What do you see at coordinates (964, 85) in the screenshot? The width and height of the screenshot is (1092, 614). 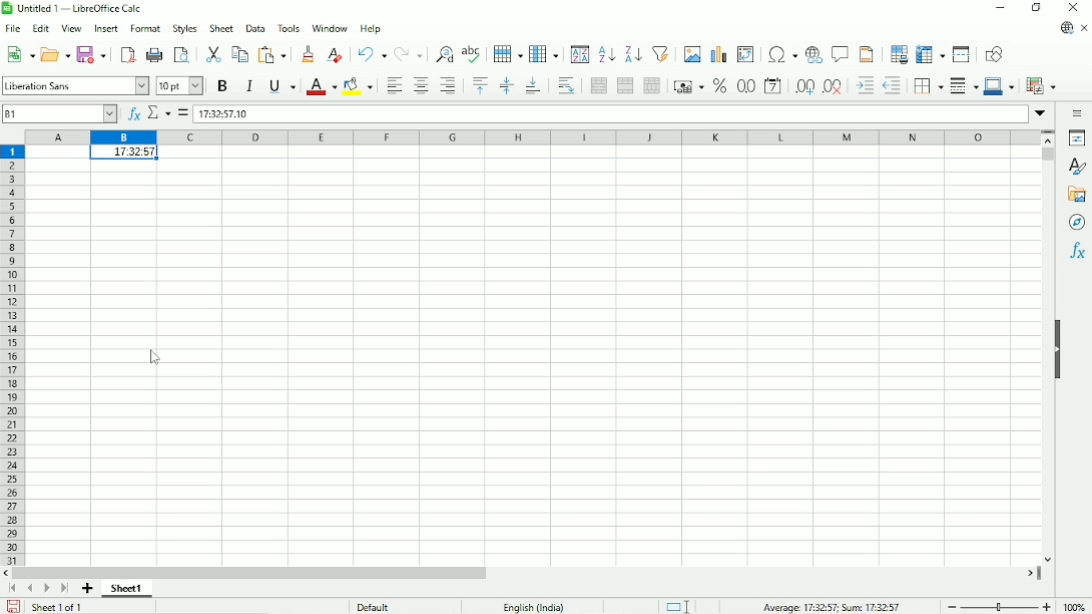 I see `Border style` at bounding box center [964, 85].